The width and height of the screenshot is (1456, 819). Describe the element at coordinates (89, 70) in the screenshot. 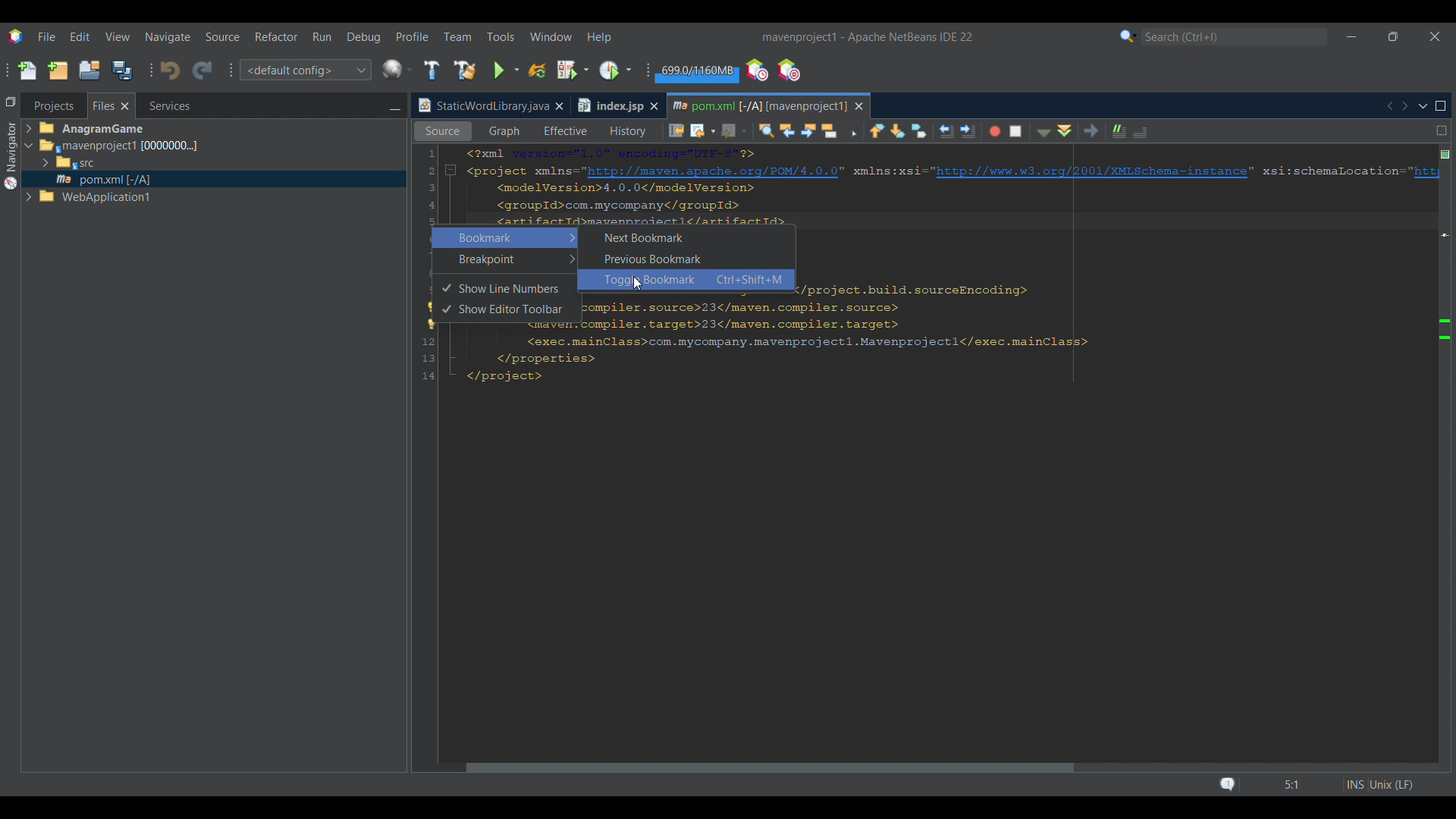

I see `Open project` at that location.